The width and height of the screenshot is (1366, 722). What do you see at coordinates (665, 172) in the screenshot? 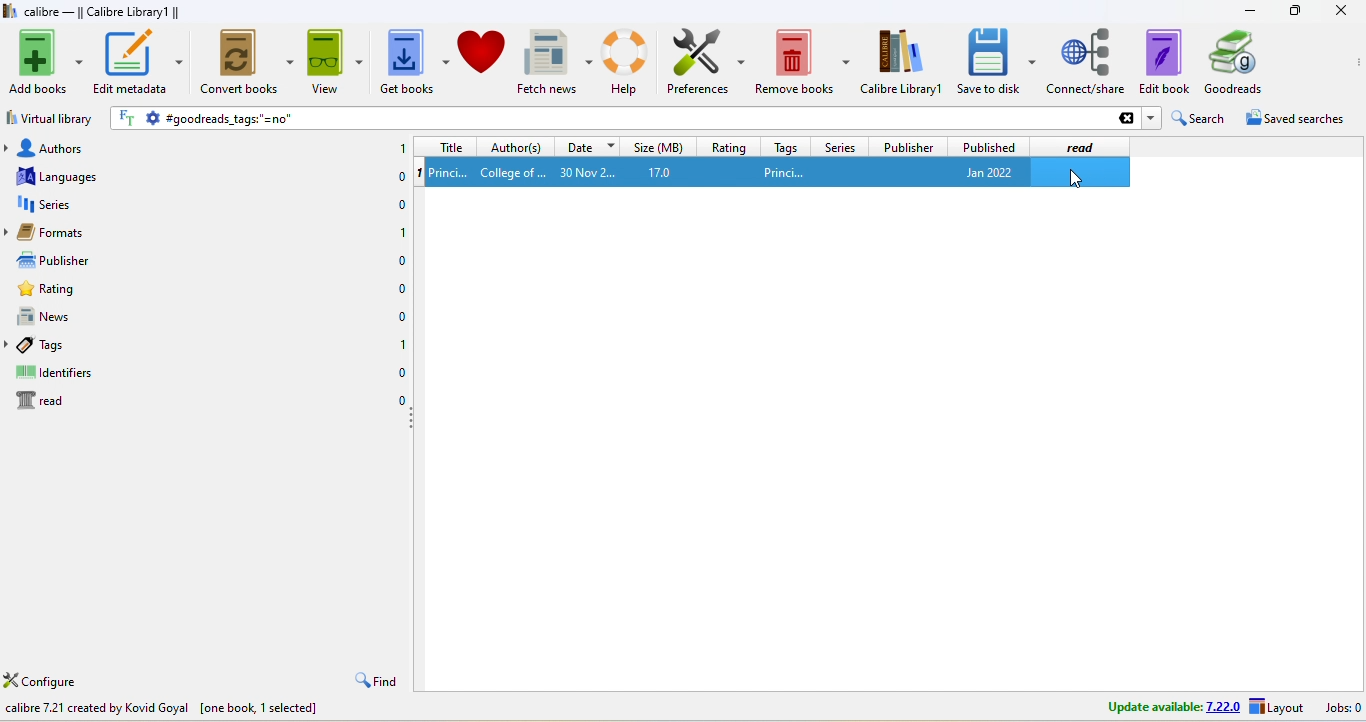
I see `17.0` at bounding box center [665, 172].